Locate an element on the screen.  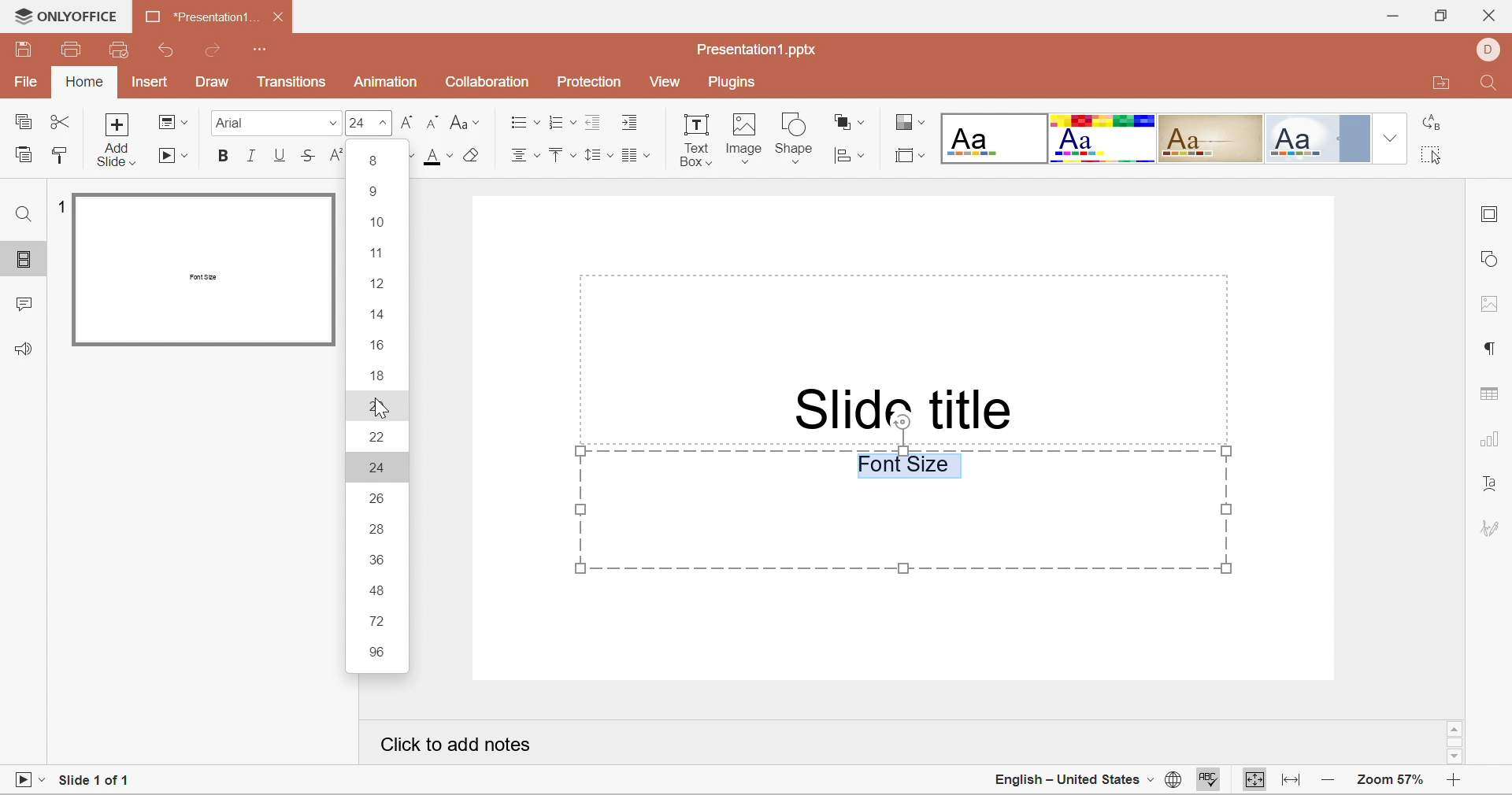
Undo is located at coordinates (171, 52).